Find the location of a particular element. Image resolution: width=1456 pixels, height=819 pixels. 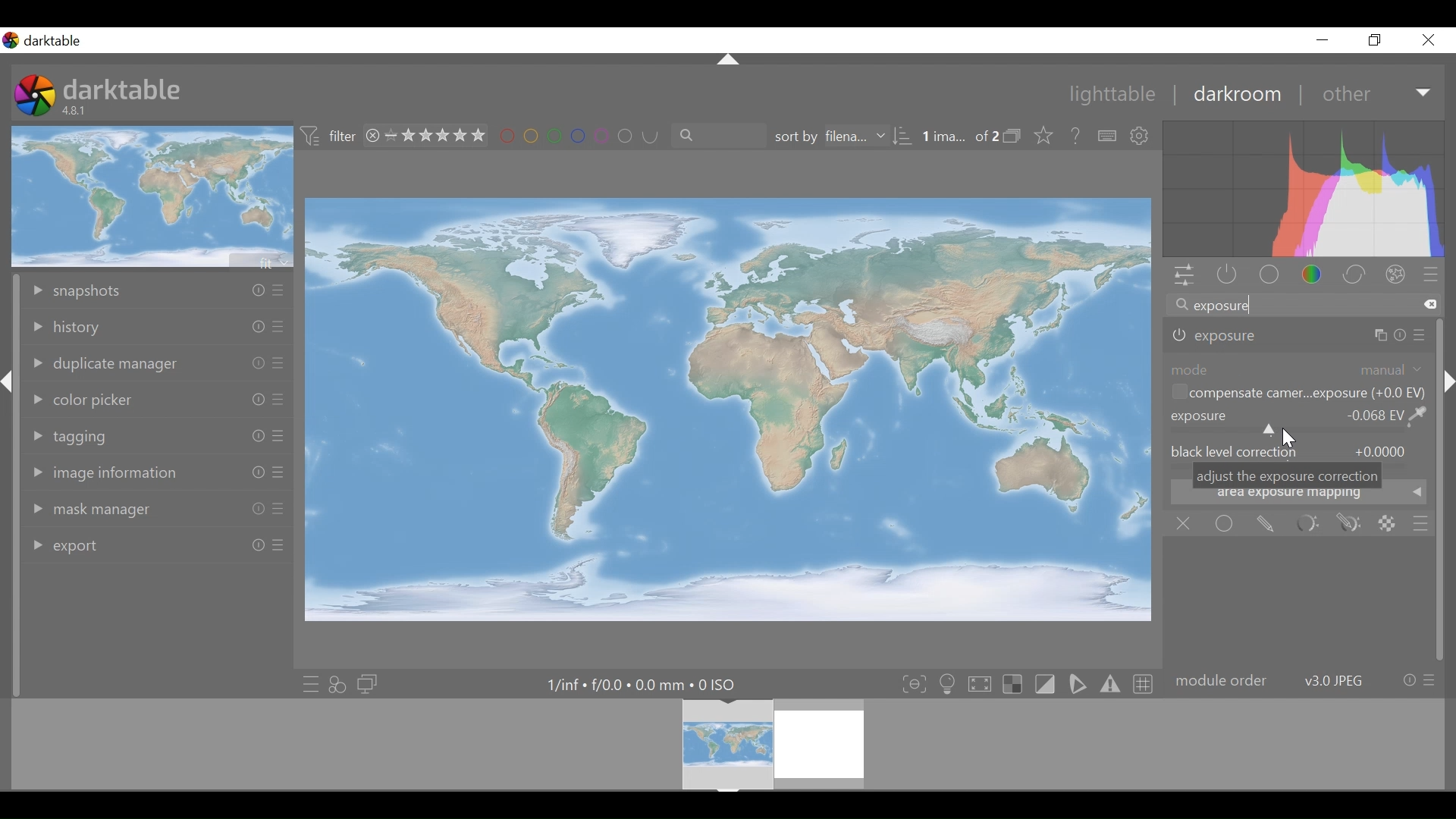

black level correction is located at coordinates (1298, 452).